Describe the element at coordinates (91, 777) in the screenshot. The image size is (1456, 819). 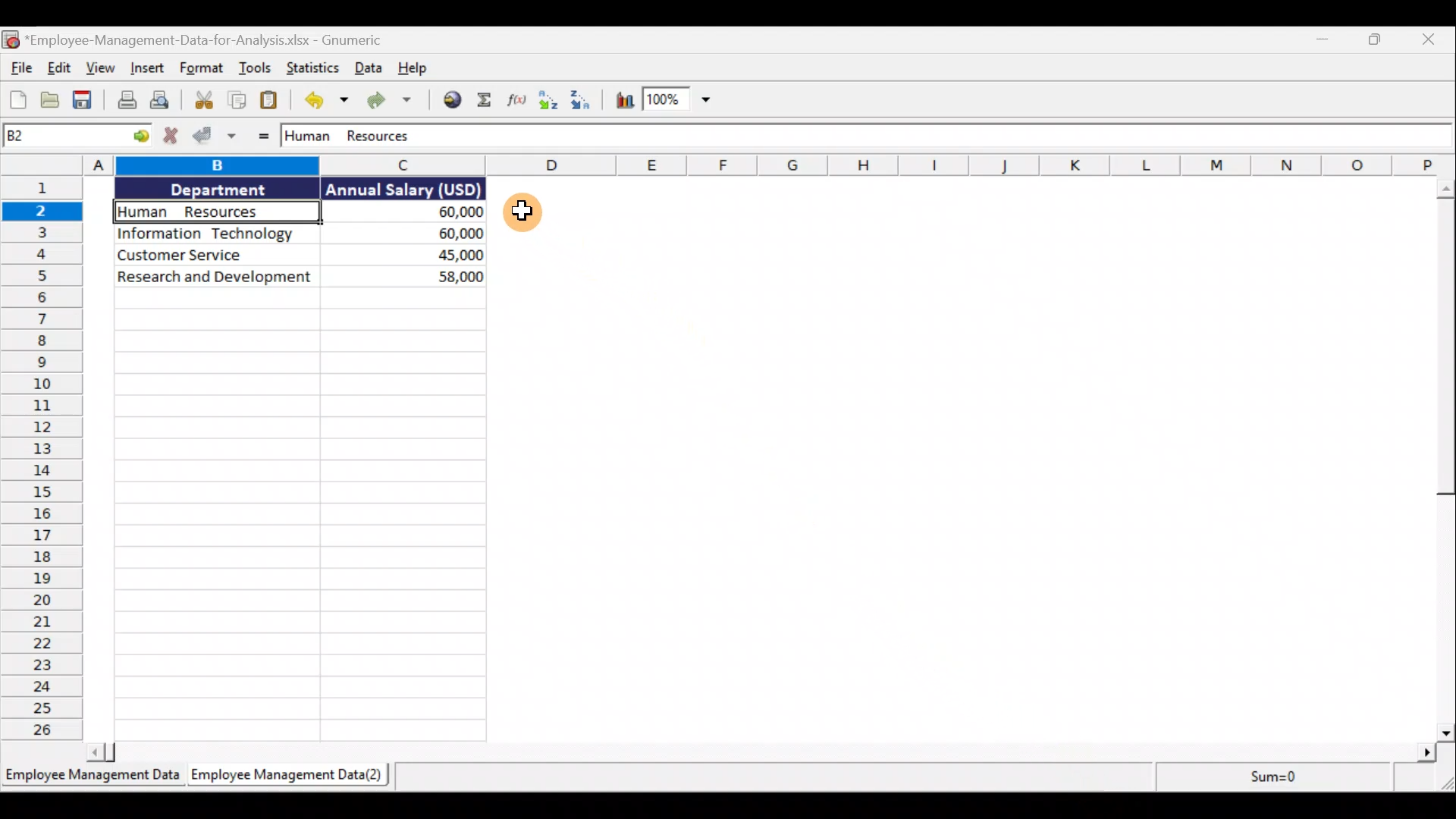
I see `Sheet 1` at that location.